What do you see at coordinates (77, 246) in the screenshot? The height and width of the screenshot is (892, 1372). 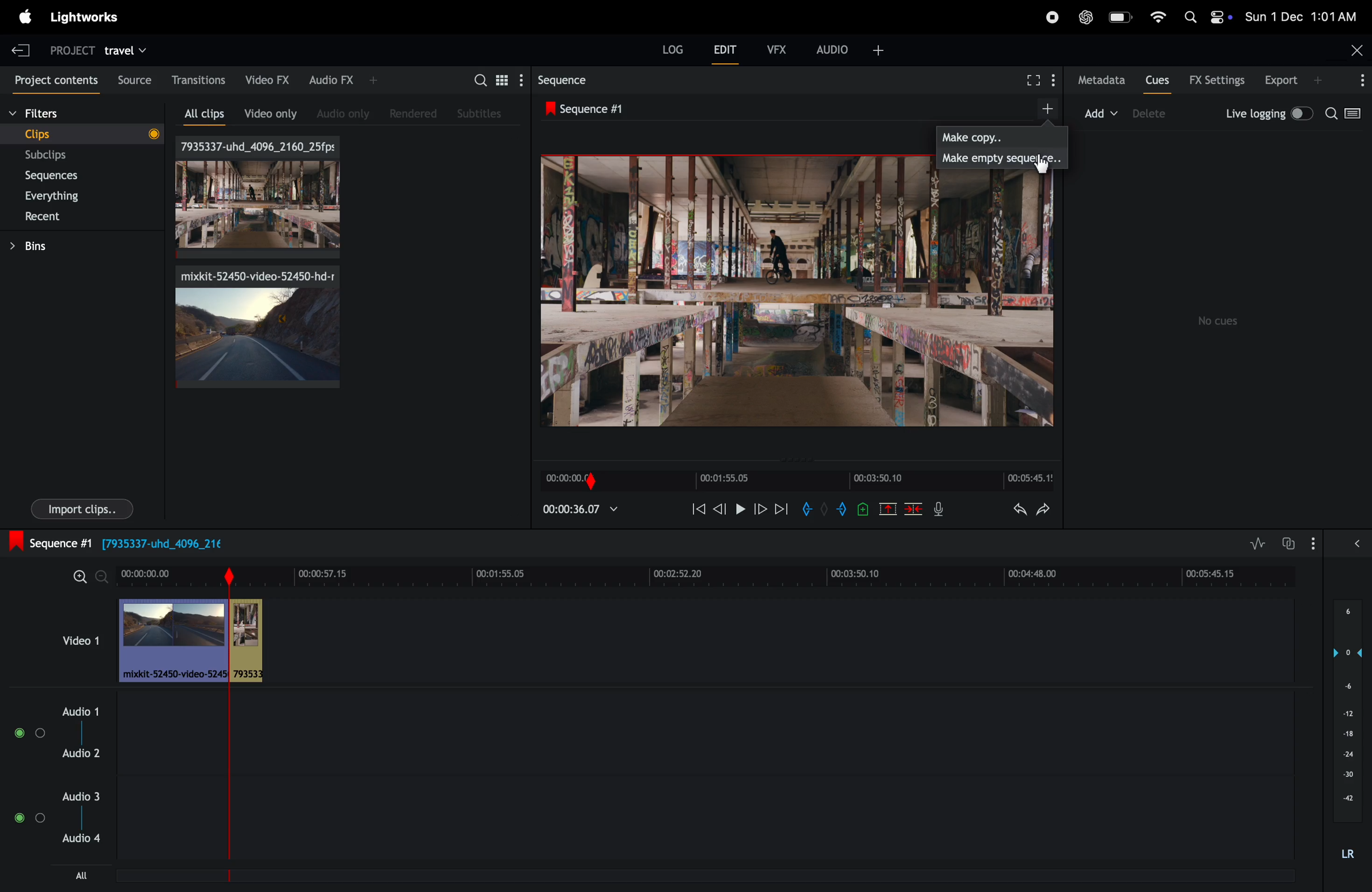 I see `bins` at bounding box center [77, 246].